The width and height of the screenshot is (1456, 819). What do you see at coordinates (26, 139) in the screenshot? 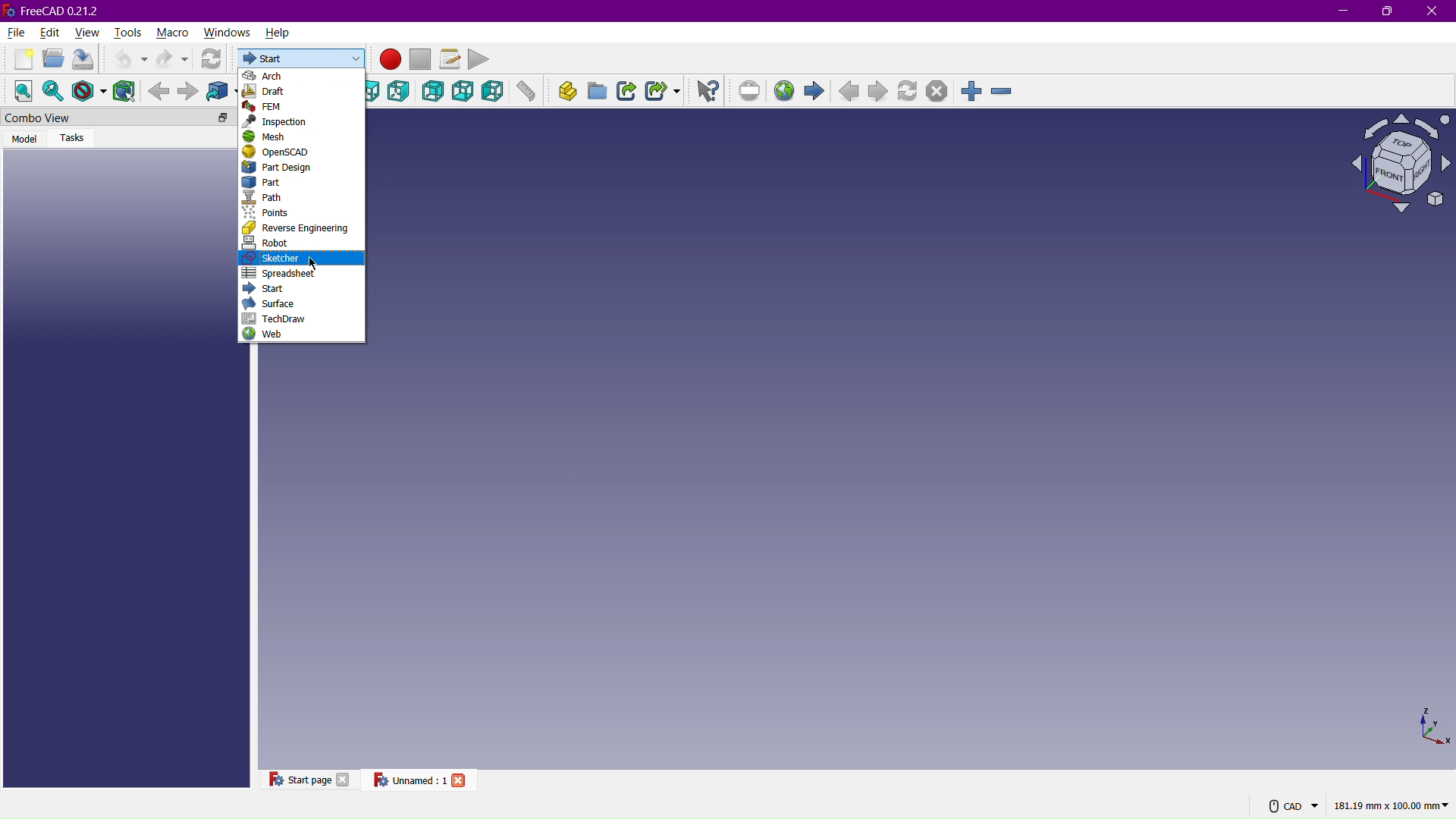
I see `Model` at bounding box center [26, 139].